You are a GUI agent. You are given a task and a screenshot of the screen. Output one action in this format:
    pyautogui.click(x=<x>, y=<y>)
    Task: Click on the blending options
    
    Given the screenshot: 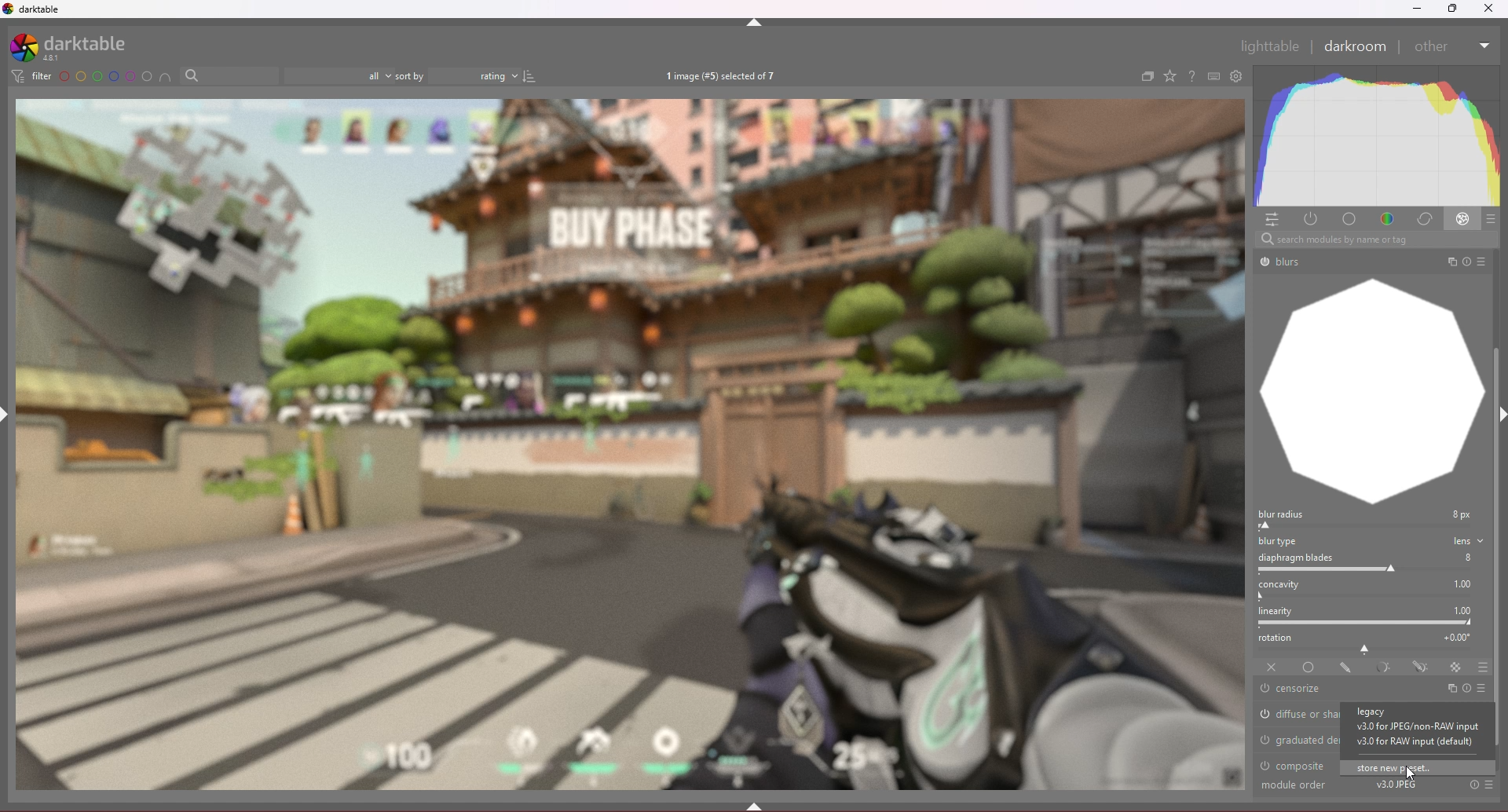 What is the action you would take?
    pyautogui.click(x=1483, y=668)
    